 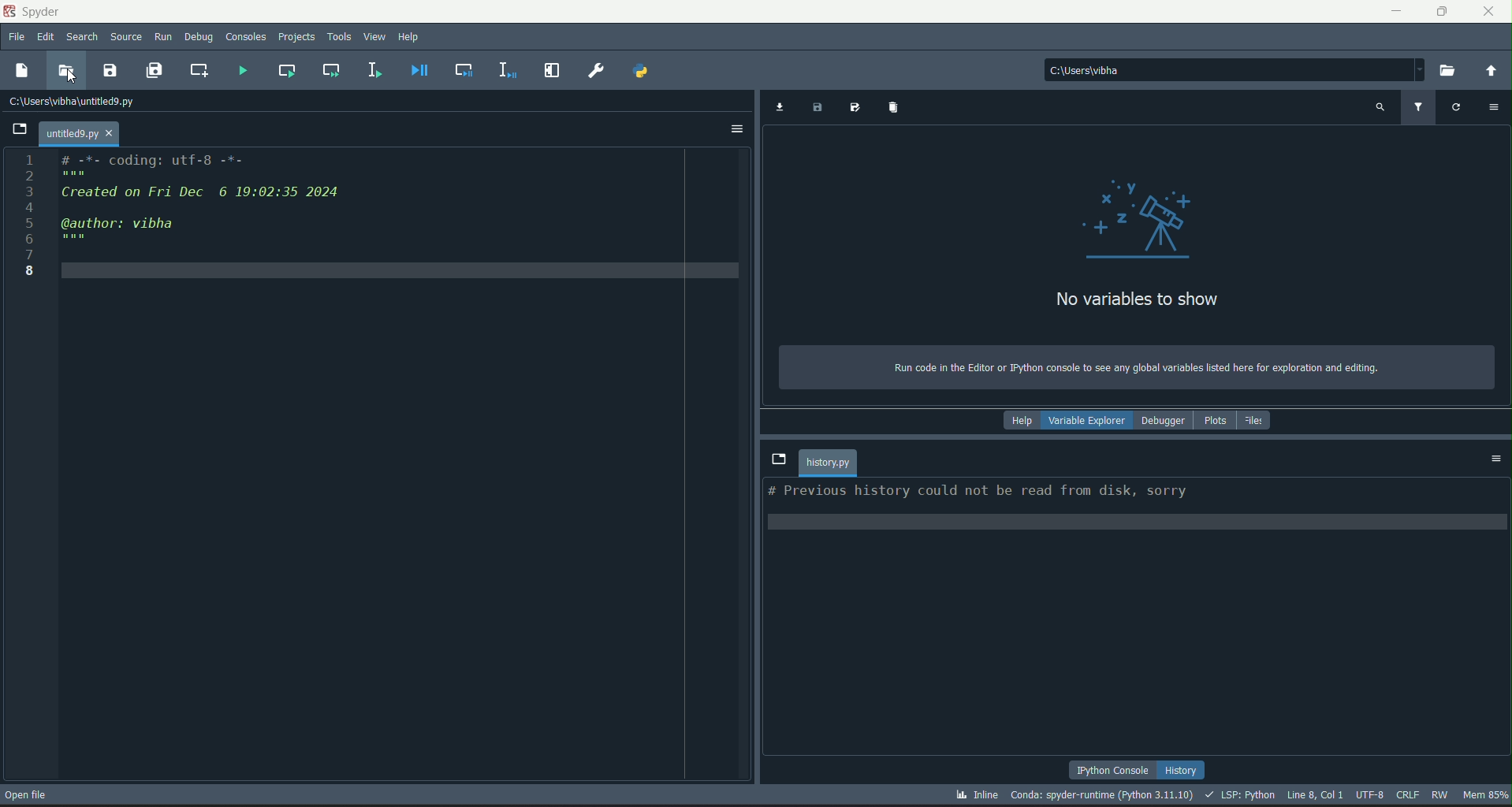 What do you see at coordinates (1456, 109) in the screenshot?
I see `refresh variable` at bounding box center [1456, 109].